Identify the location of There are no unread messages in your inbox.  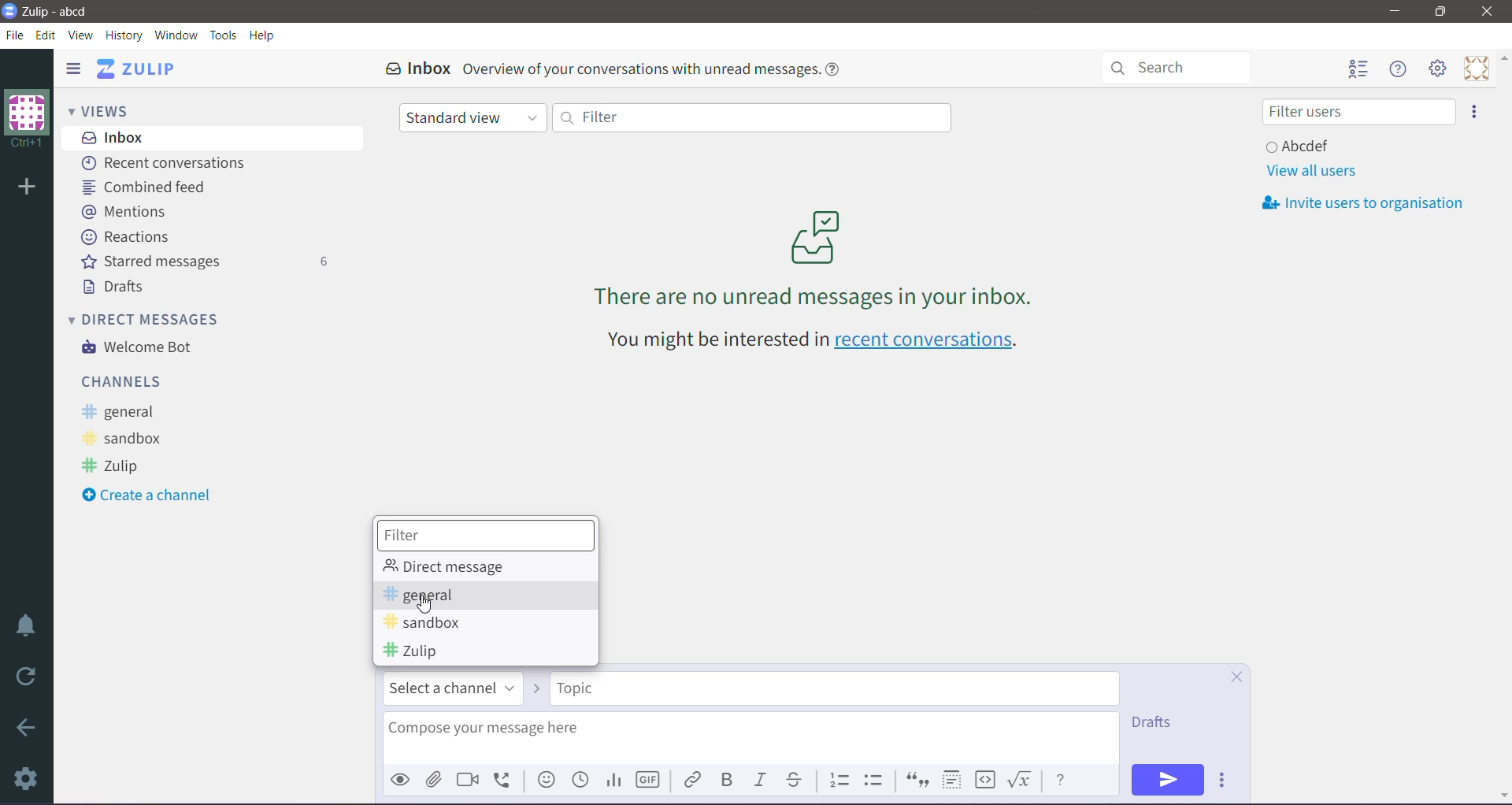
(815, 258).